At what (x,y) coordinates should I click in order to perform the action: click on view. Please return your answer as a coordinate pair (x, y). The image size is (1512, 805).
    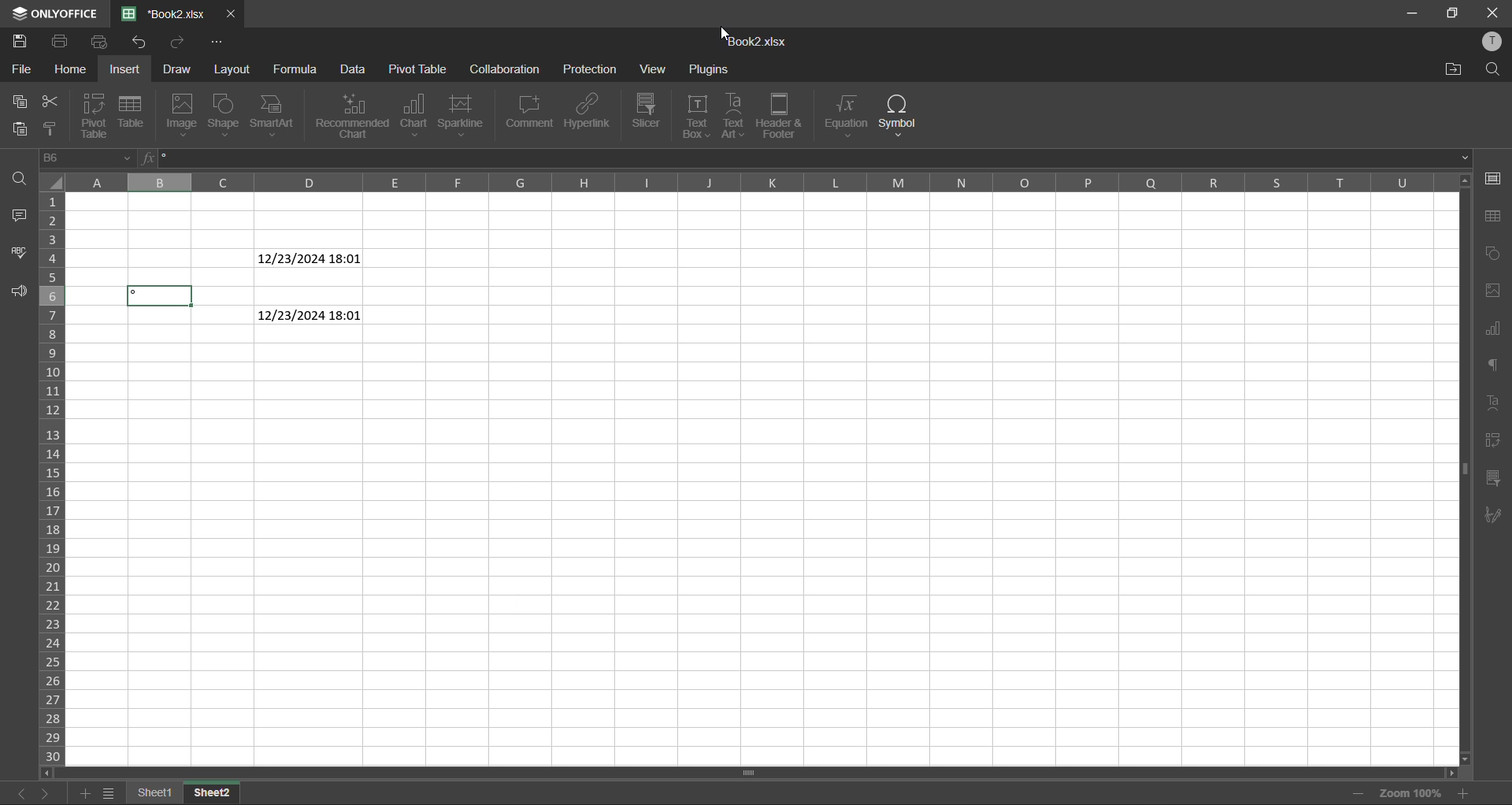
    Looking at the image, I should click on (654, 69).